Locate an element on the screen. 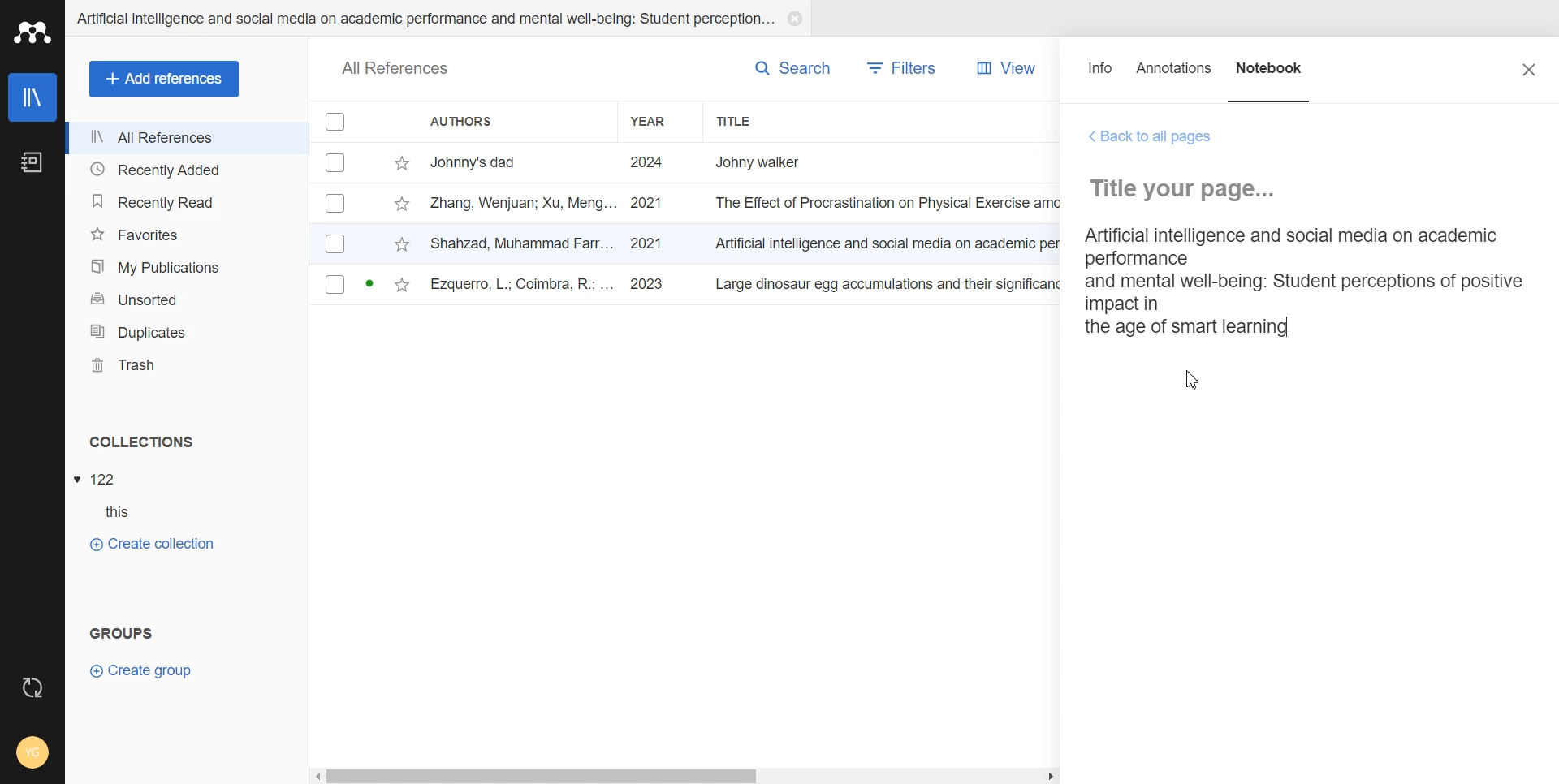  Notebook is located at coordinates (1271, 75).